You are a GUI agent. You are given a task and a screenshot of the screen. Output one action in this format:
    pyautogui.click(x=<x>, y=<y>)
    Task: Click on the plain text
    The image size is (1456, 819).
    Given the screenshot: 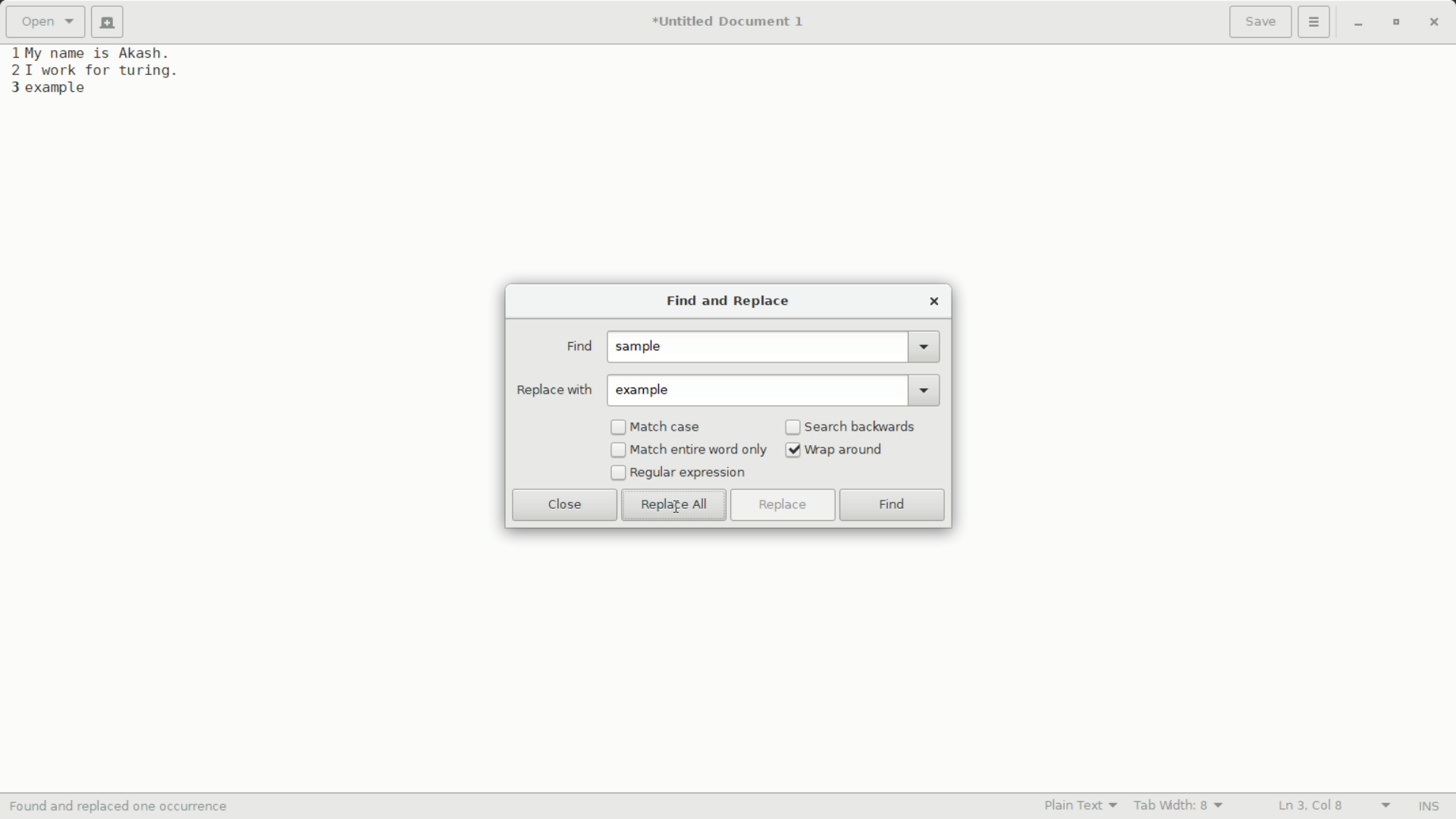 What is the action you would take?
    pyautogui.click(x=1084, y=805)
    